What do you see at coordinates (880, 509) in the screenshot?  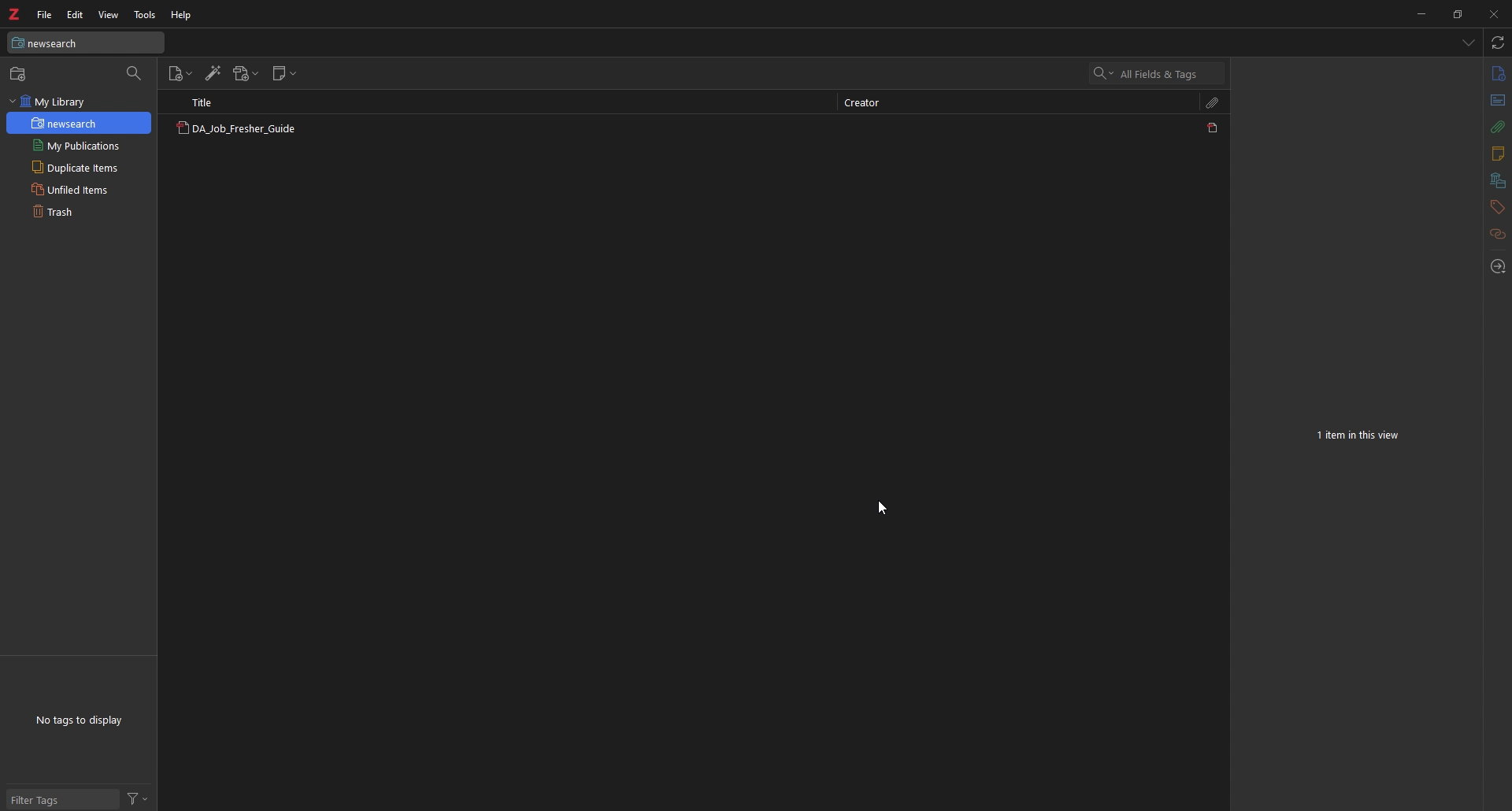 I see `cursor` at bounding box center [880, 509].